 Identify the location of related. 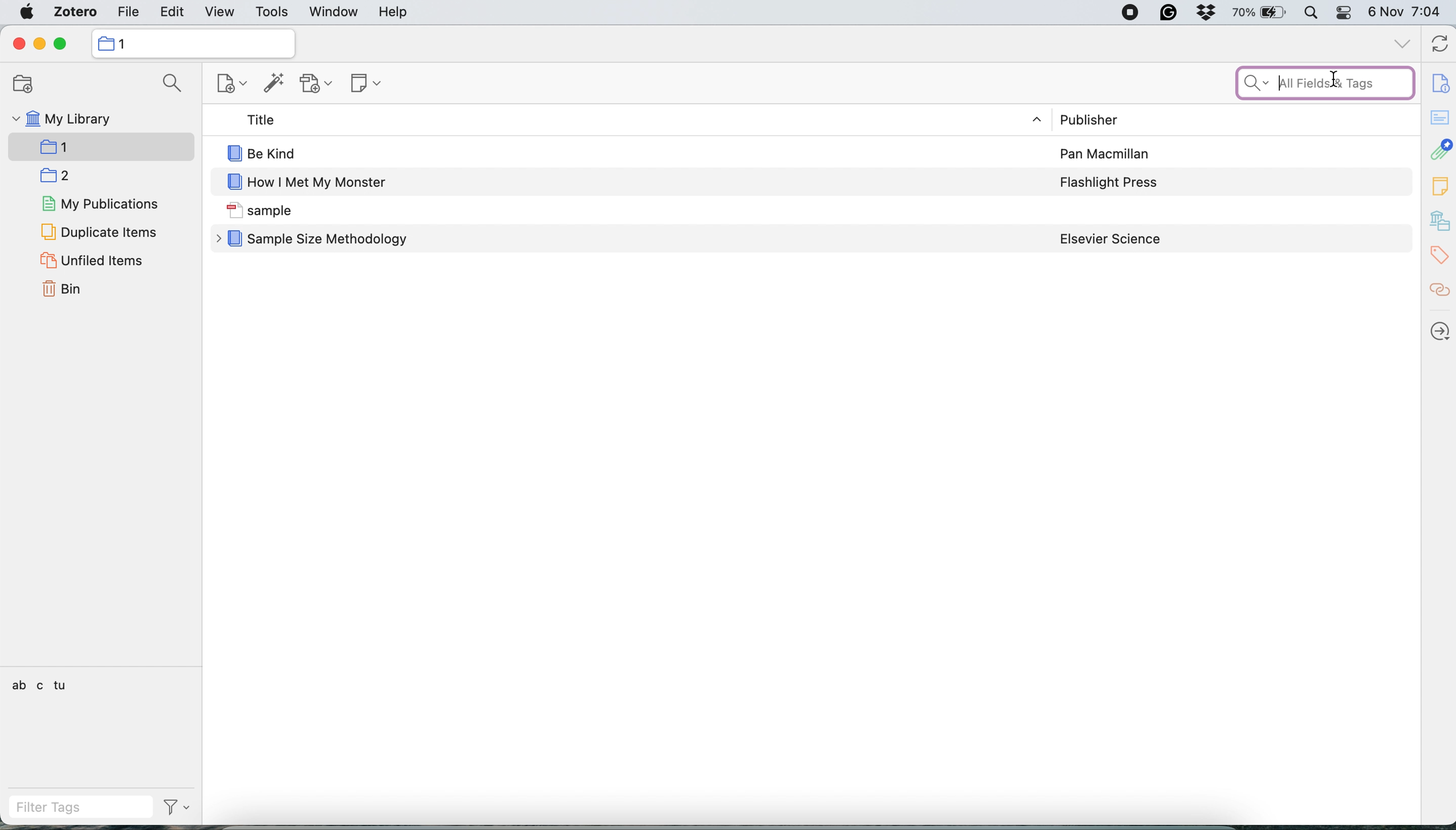
(1439, 293).